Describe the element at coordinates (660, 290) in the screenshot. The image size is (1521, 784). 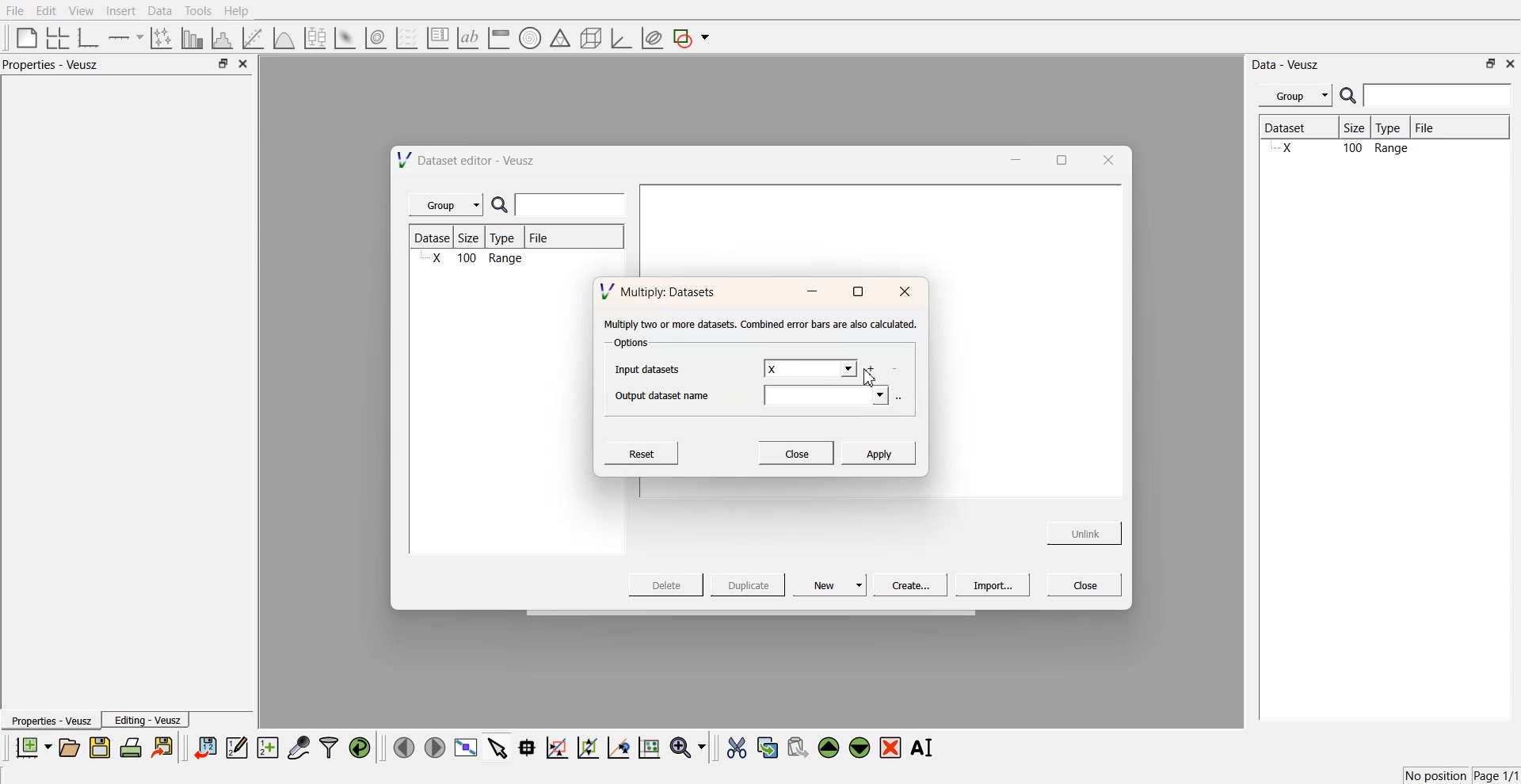
I see `Multiply: Datasets` at that location.